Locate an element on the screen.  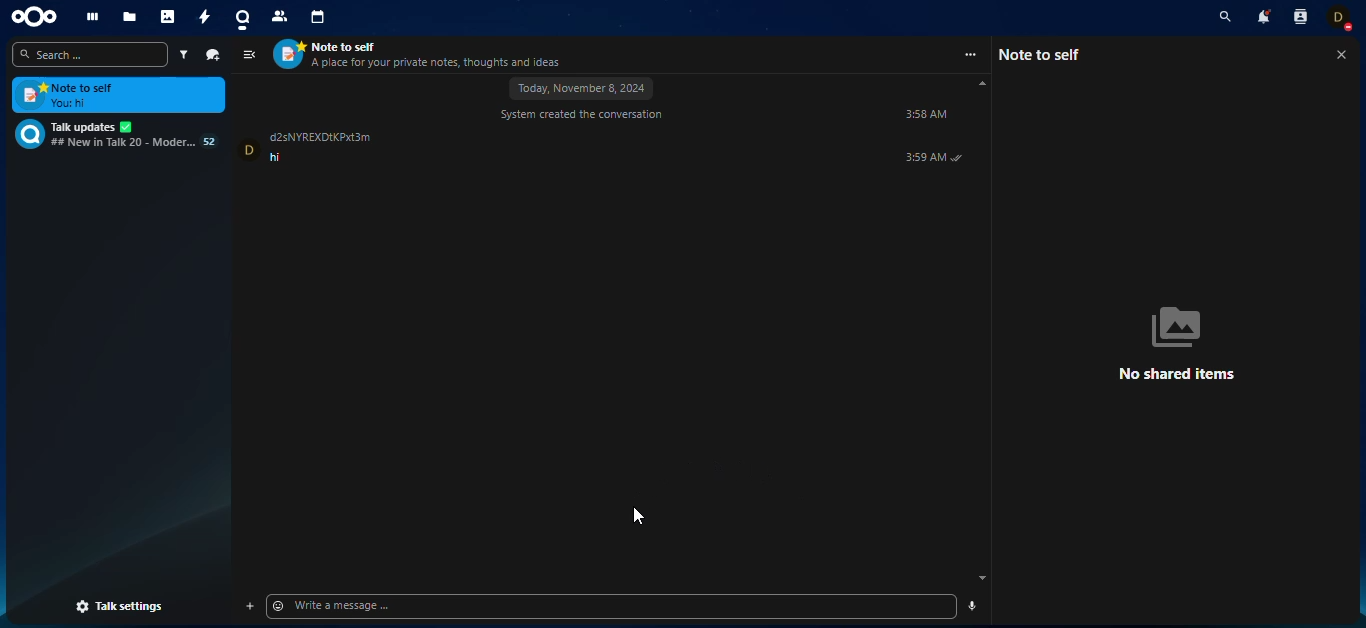
filter is located at coordinates (182, 55).